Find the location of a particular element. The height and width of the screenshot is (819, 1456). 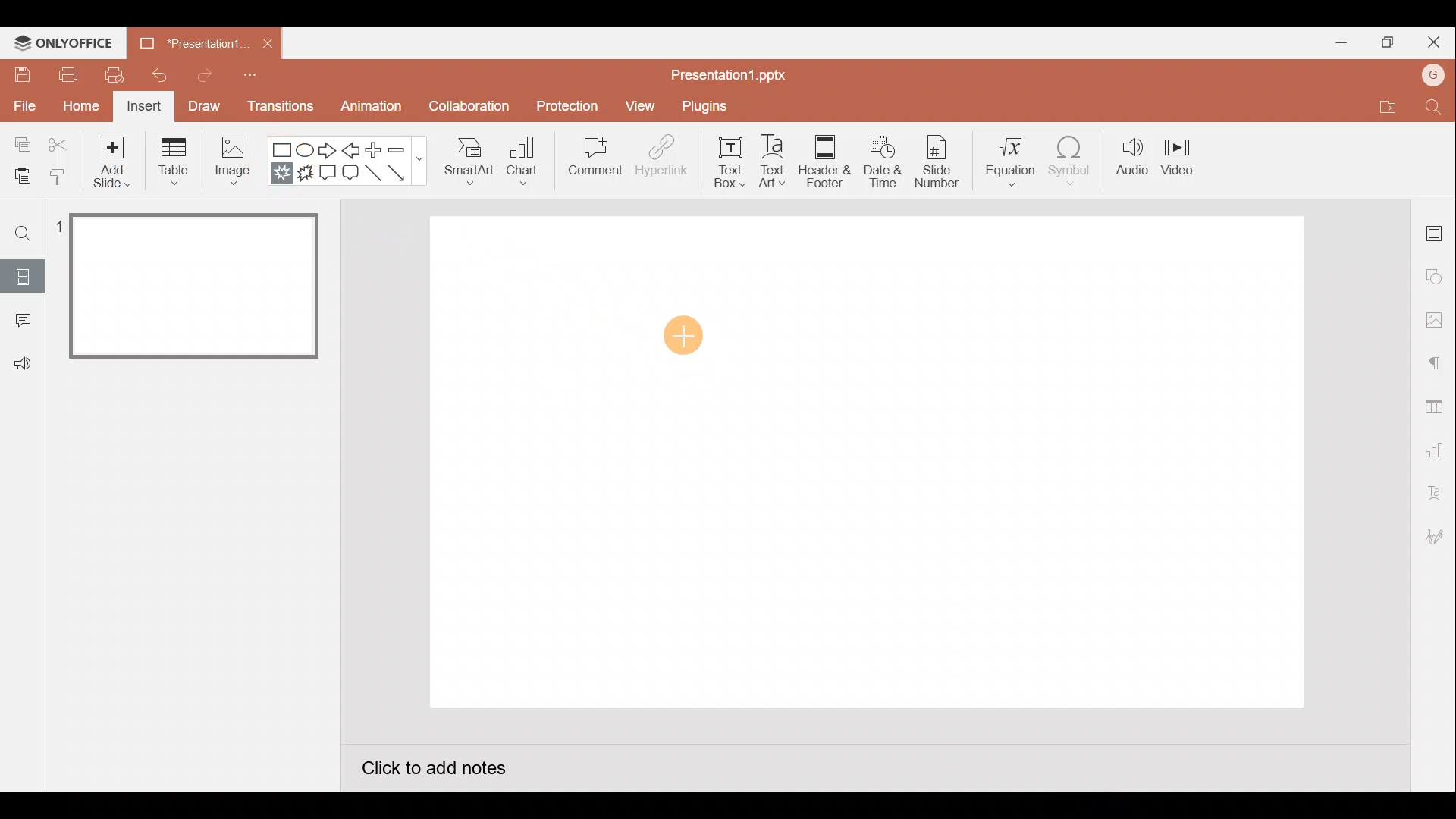

Add slide is located at coordinates (111, 162).